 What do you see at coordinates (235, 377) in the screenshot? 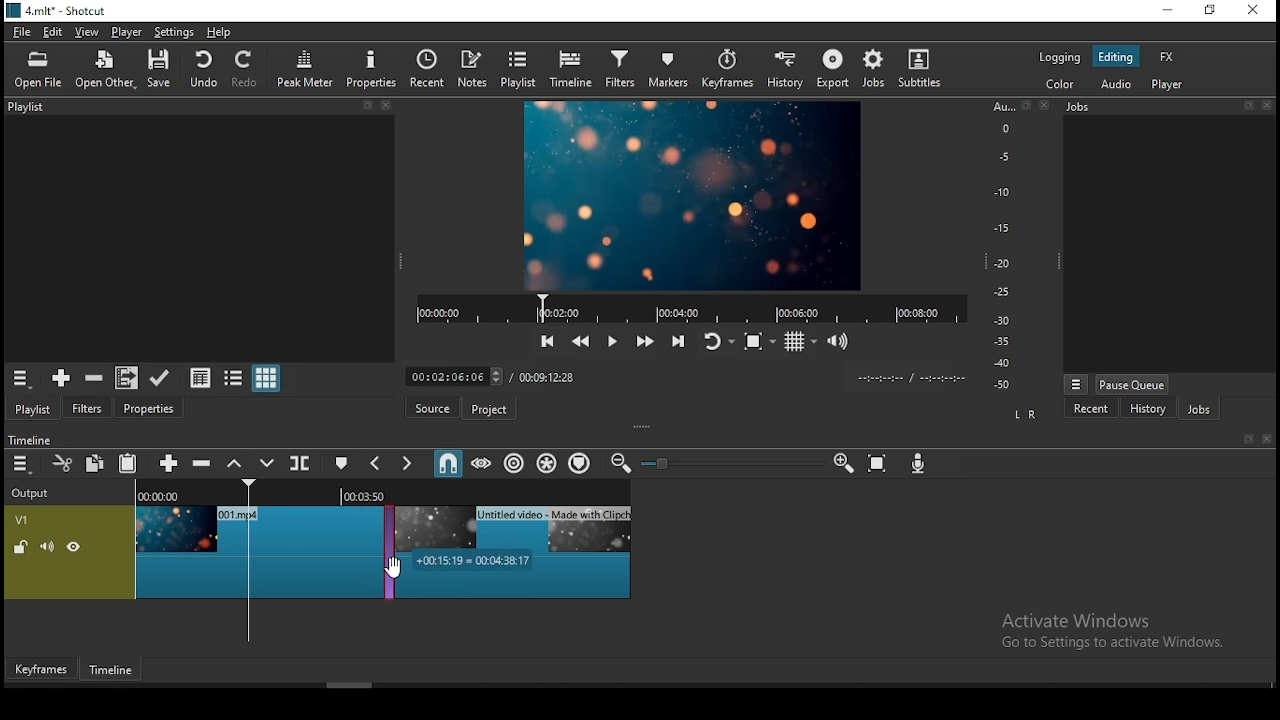
I see `view as list` at bounding box center [235, 377].